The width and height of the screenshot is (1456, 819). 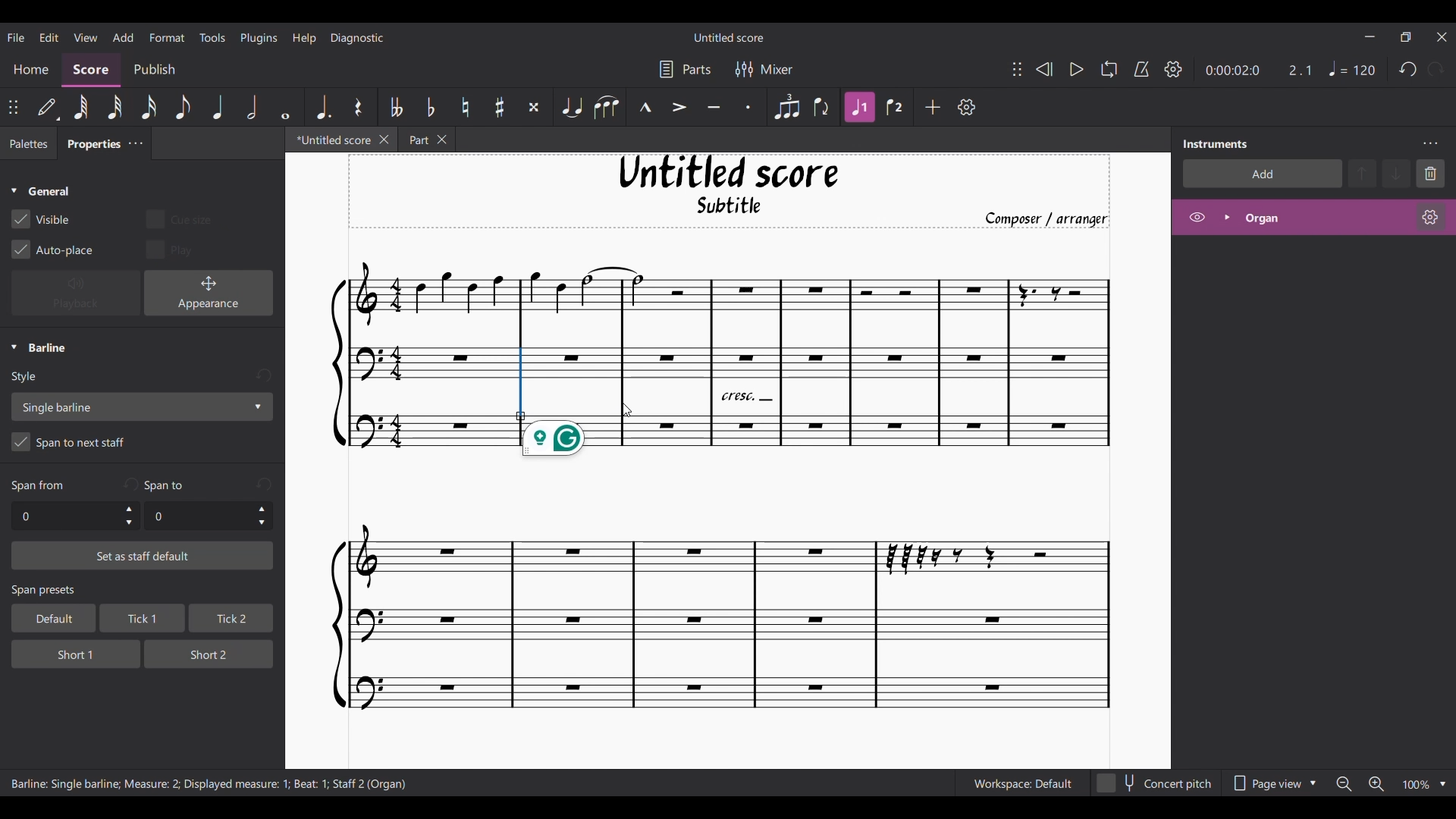 I want to click on Indicates input for Style, so click(x=27, y=378).